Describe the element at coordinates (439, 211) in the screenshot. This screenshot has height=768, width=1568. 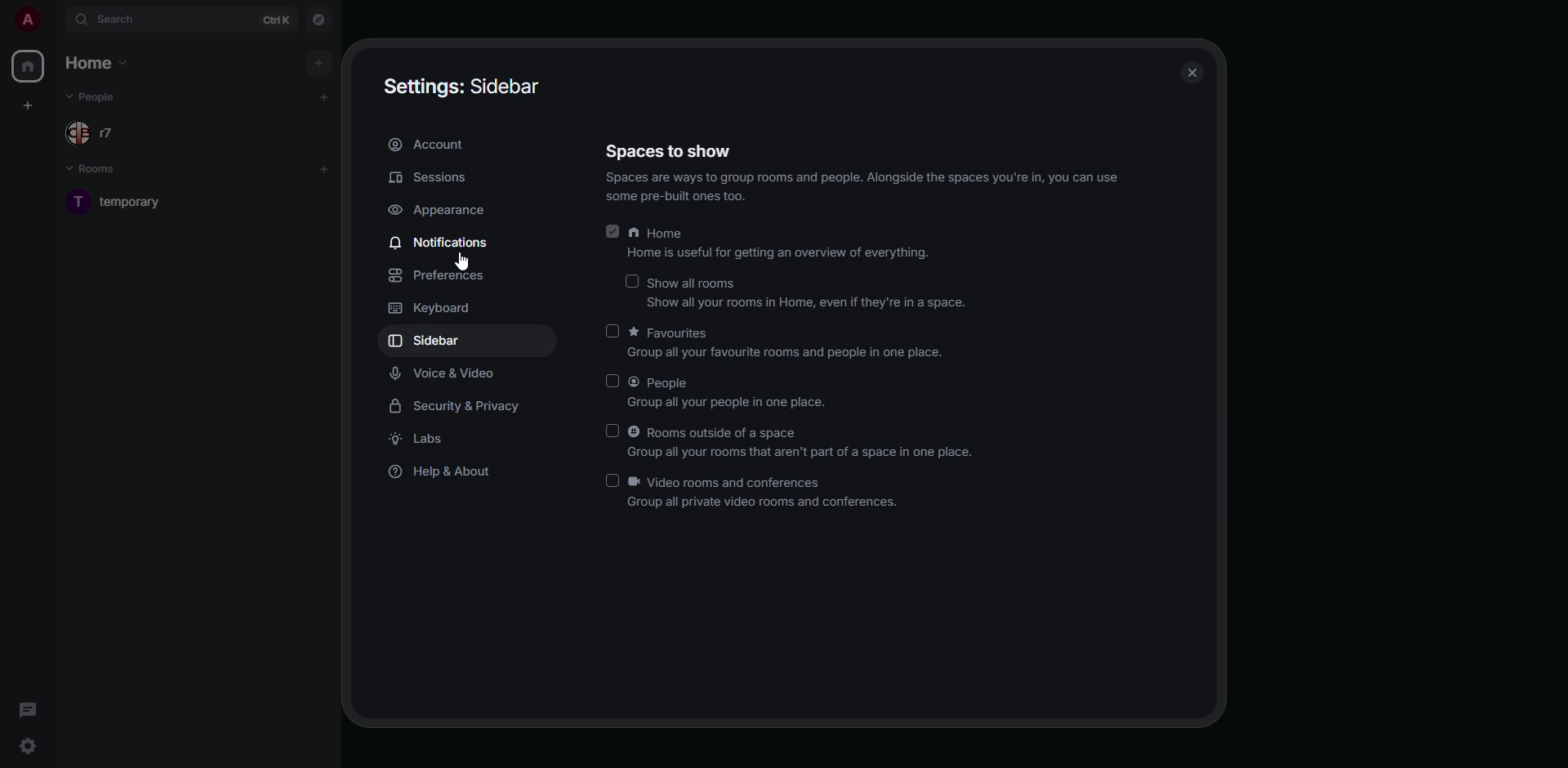
I see `appearance` at that location.